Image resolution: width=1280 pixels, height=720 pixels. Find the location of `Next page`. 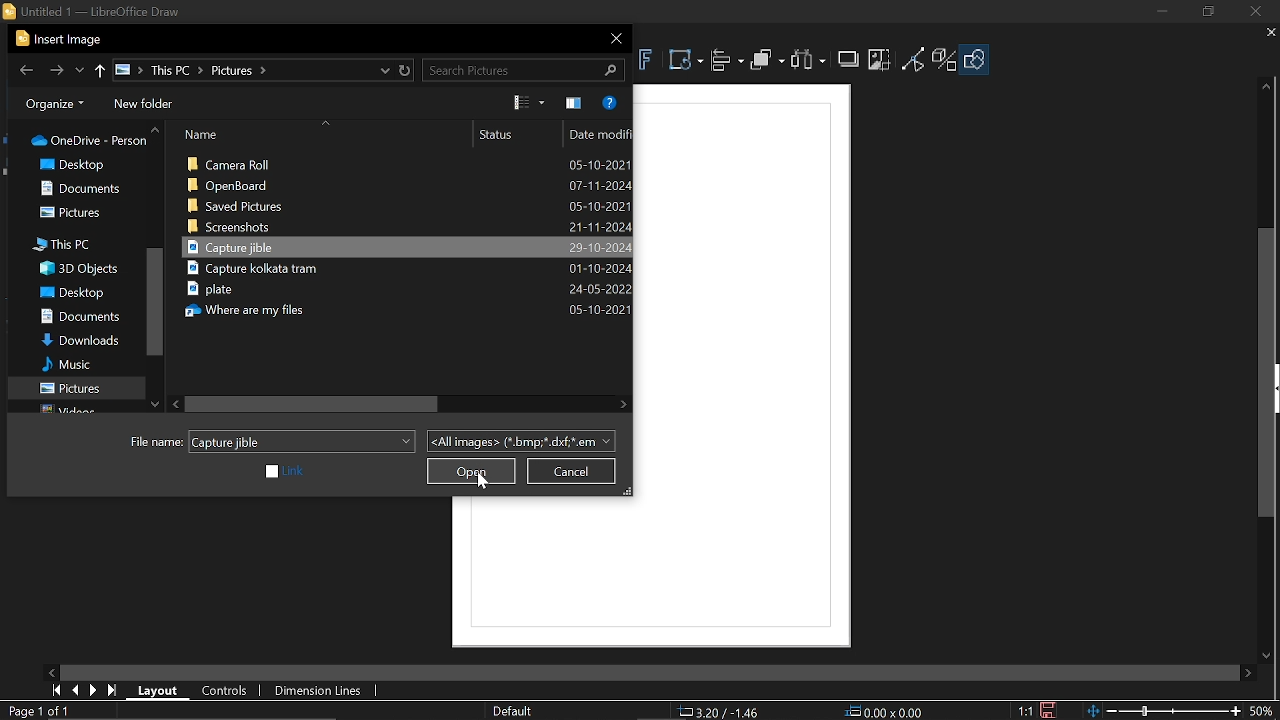

Next page is located at coordinates (92, 690).